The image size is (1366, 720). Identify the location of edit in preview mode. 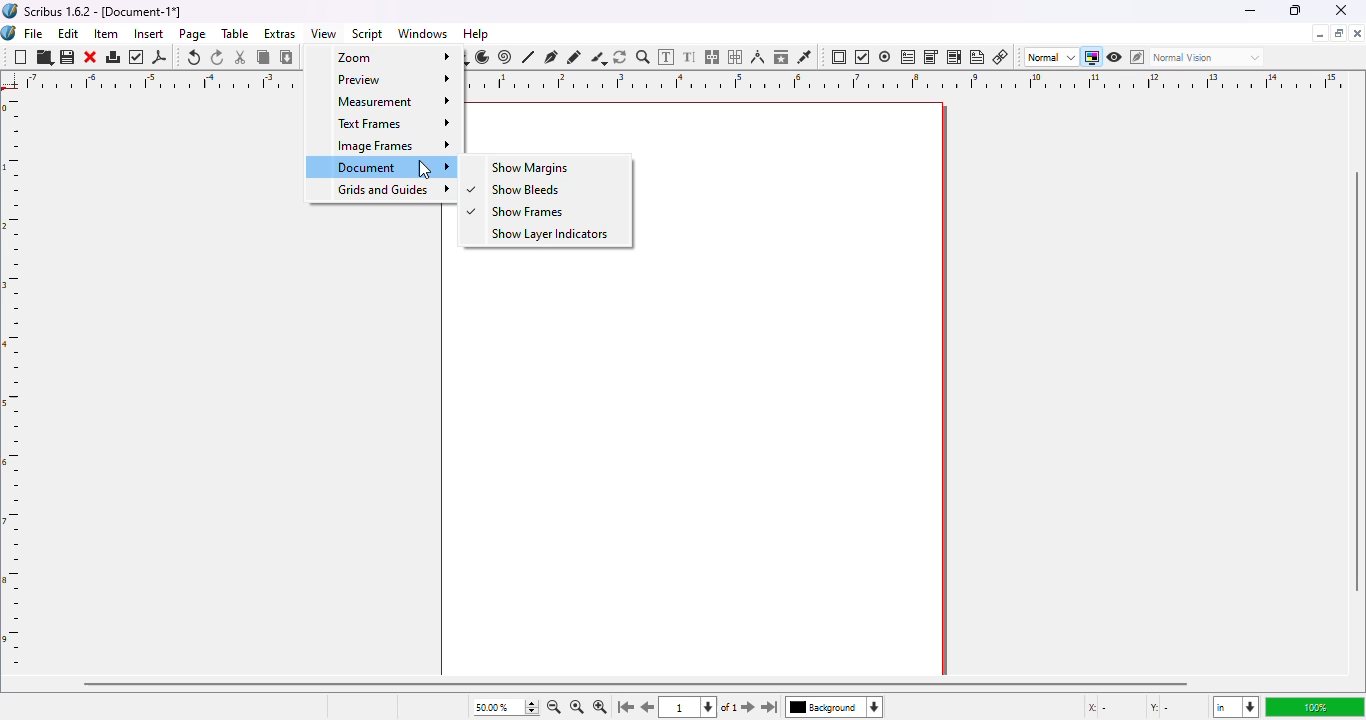
(1137, 57).